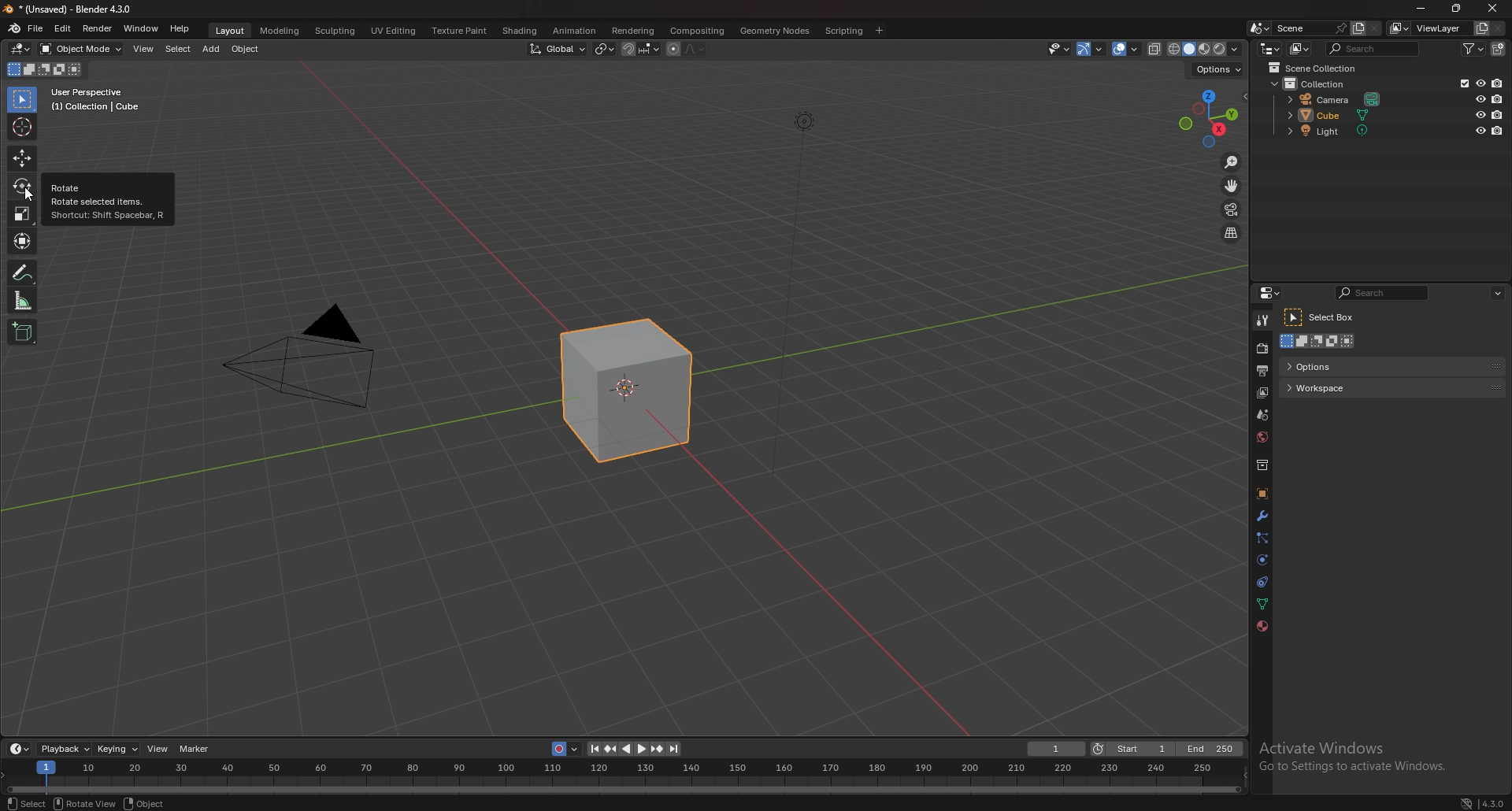 This screenshot has width=1512, height=811. Describe the element at coordinates (21, 159) in the screenshot. I see `move` at that location.